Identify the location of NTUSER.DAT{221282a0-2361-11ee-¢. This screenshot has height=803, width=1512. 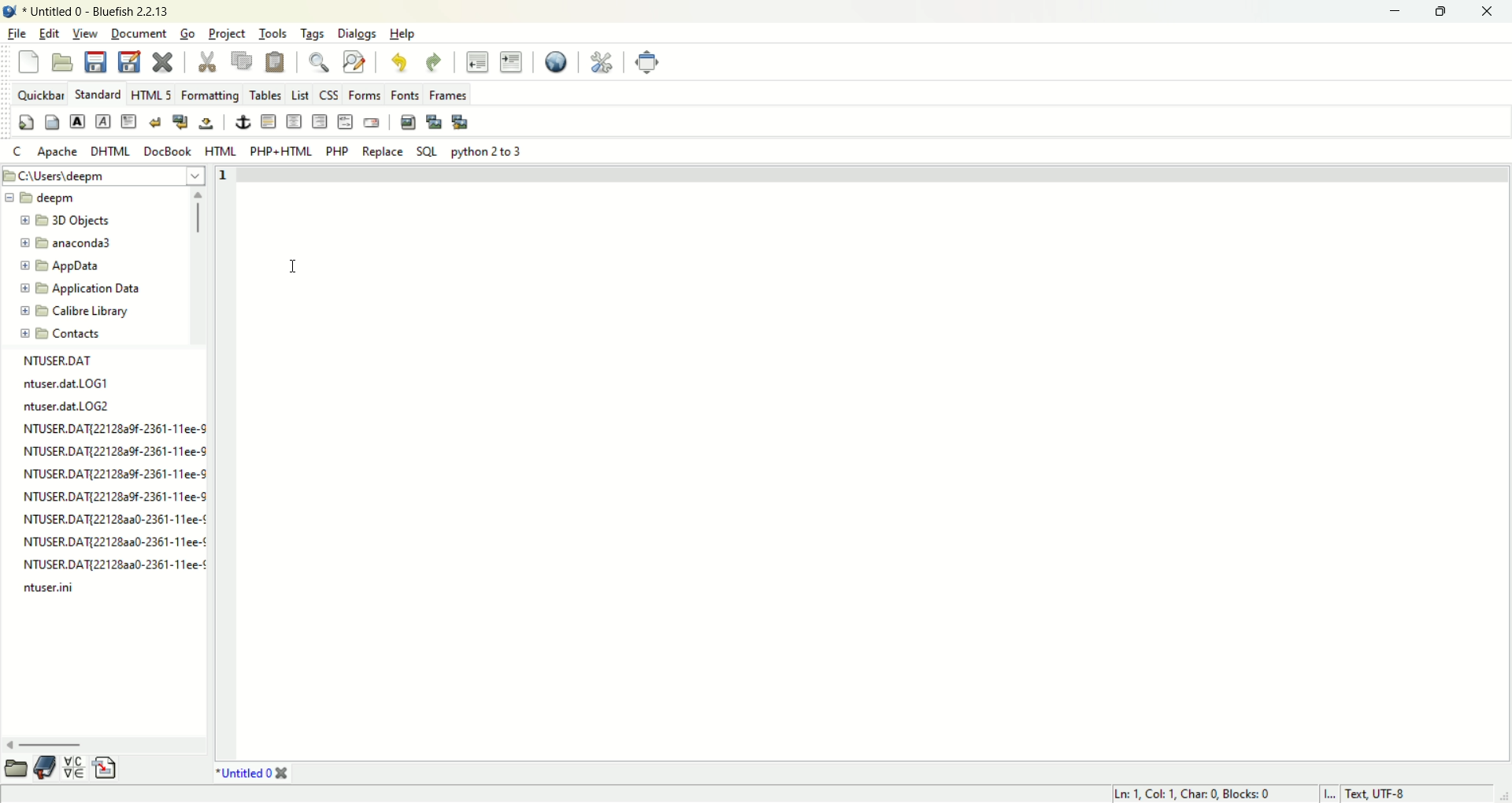
(115, 568).